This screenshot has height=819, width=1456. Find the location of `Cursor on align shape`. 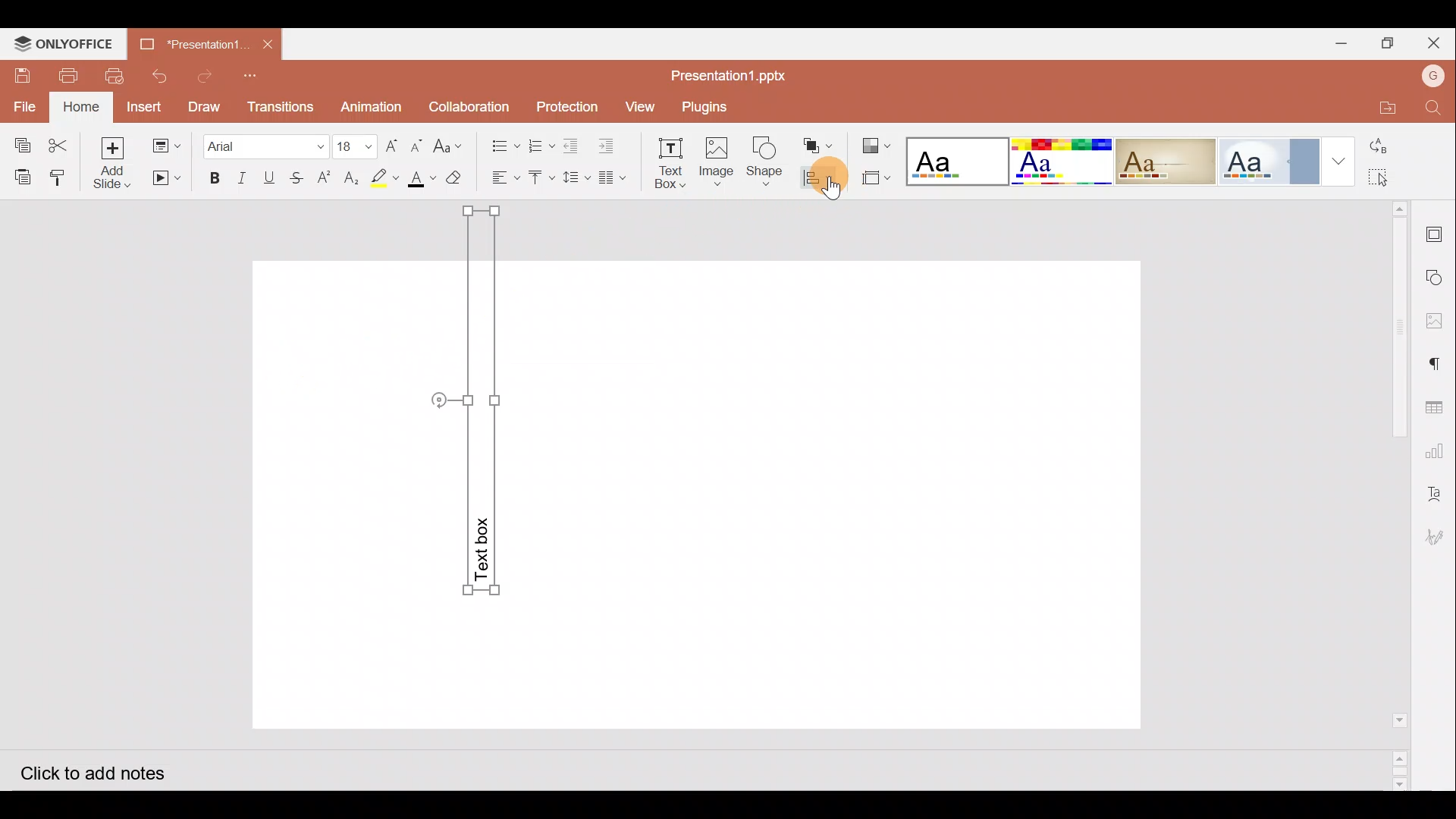

Cursor on align shape is located at coordinates (829, 186).